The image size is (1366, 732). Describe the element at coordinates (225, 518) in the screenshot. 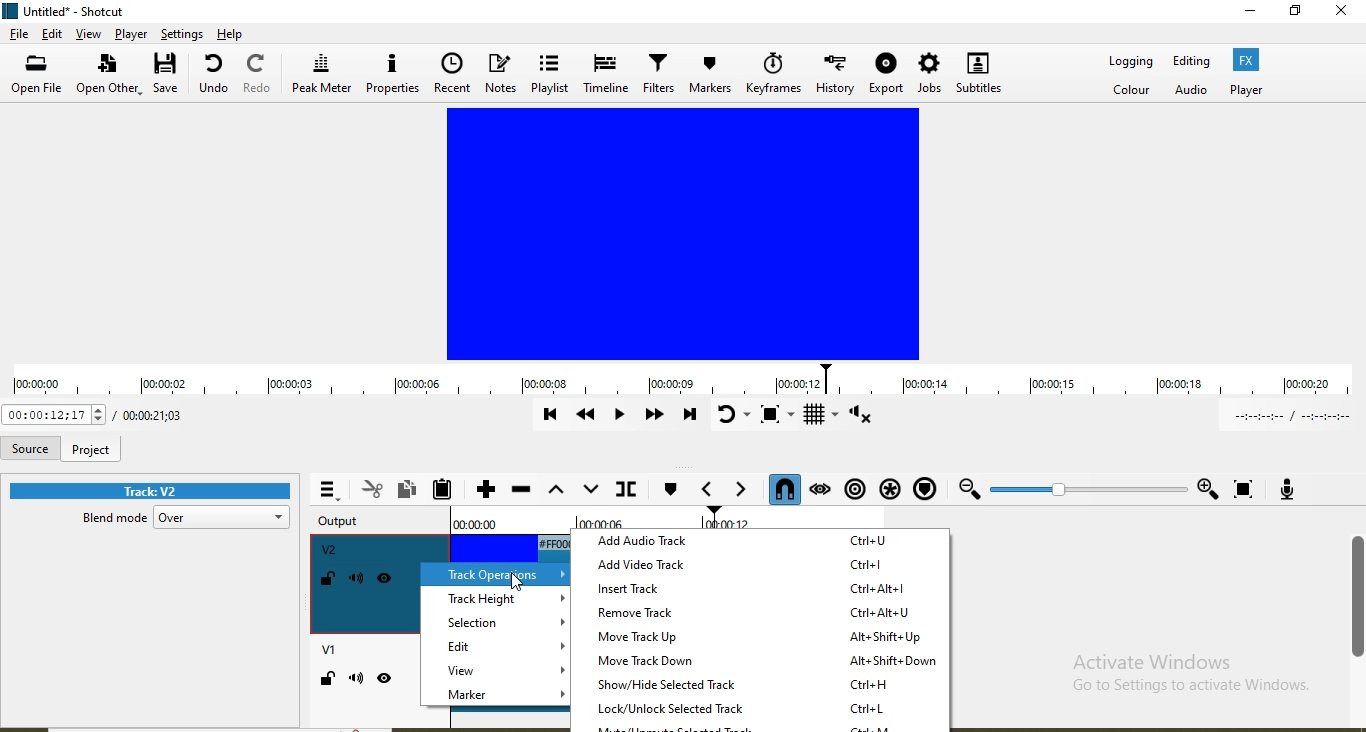

I see `over` at that location.